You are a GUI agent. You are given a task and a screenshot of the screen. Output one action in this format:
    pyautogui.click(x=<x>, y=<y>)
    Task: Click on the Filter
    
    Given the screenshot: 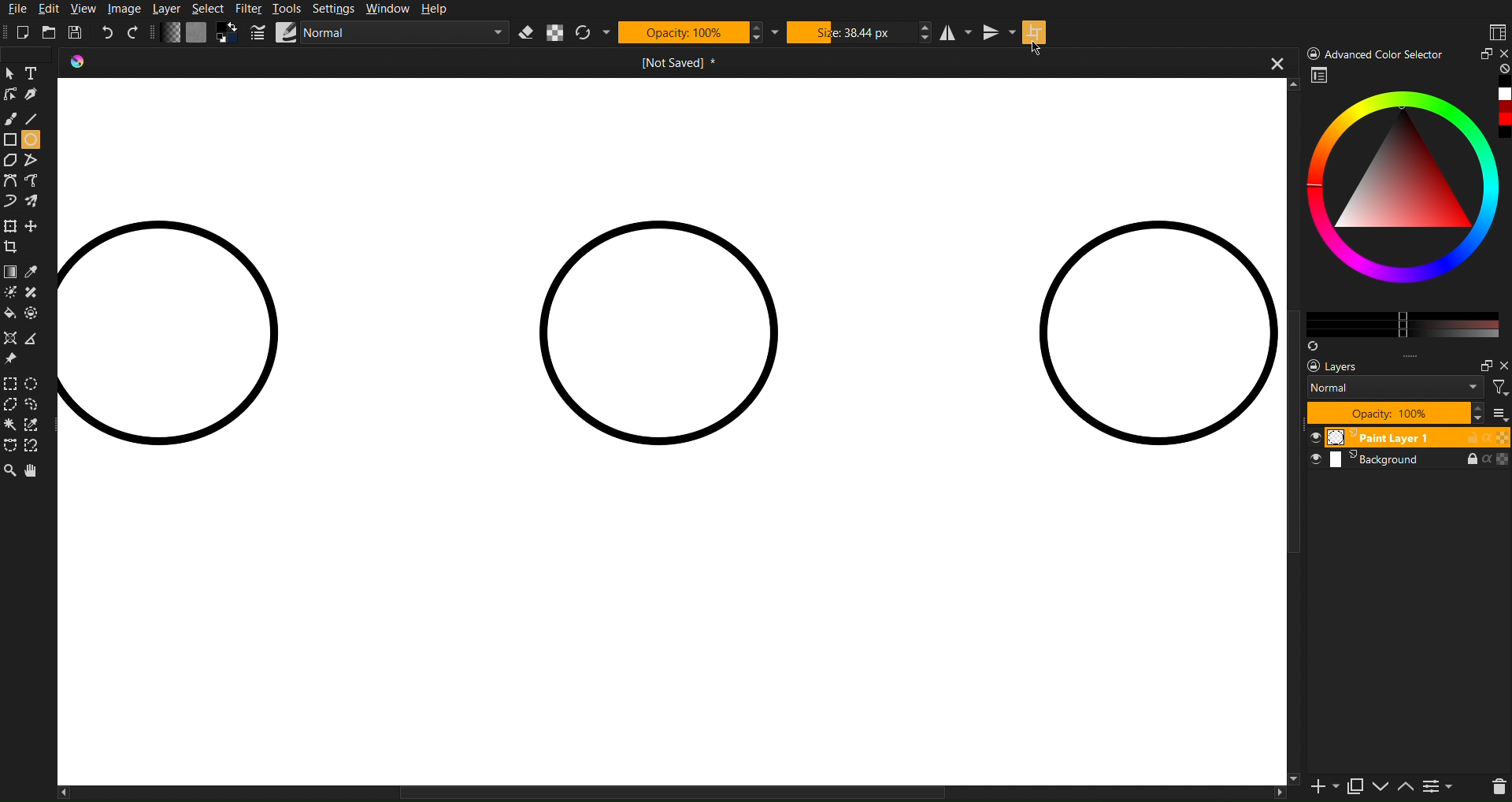 What is the action you would take?
    pyautogui.click(x=250, y=8)
    